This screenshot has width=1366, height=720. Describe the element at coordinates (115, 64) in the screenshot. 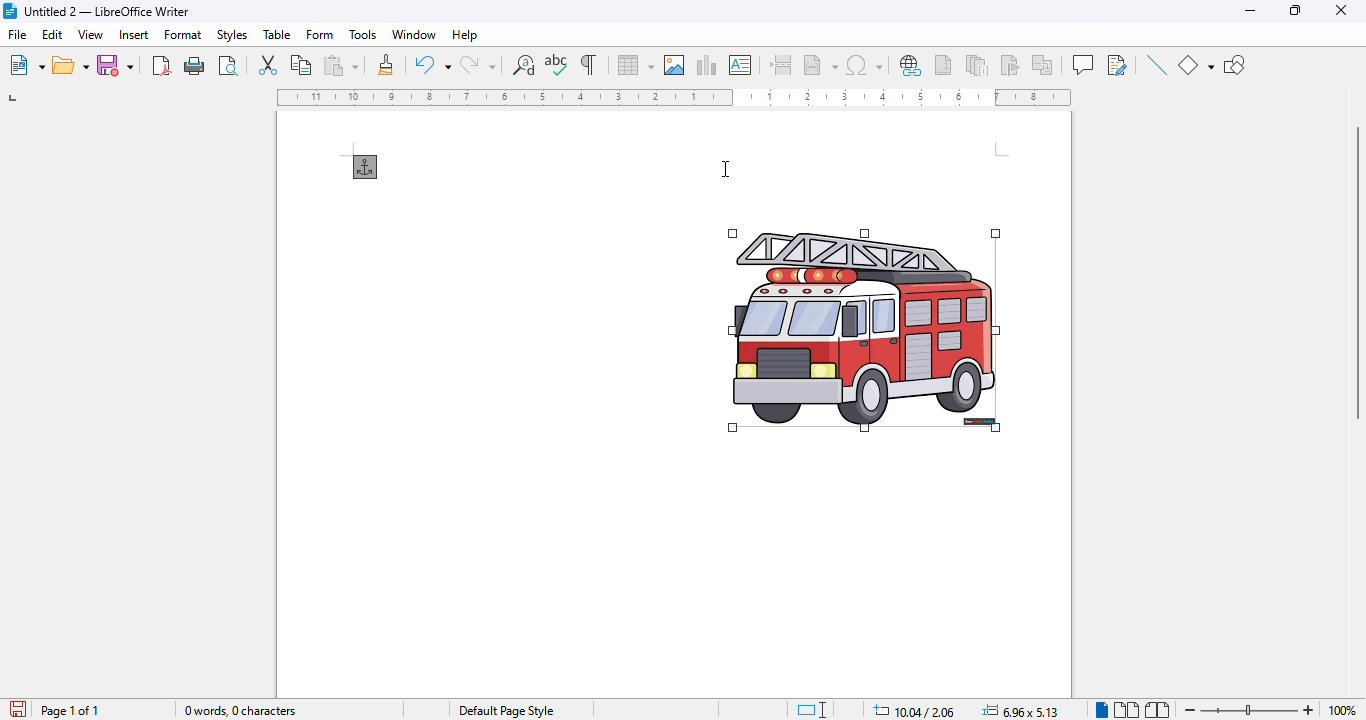

I see `save` at that location.